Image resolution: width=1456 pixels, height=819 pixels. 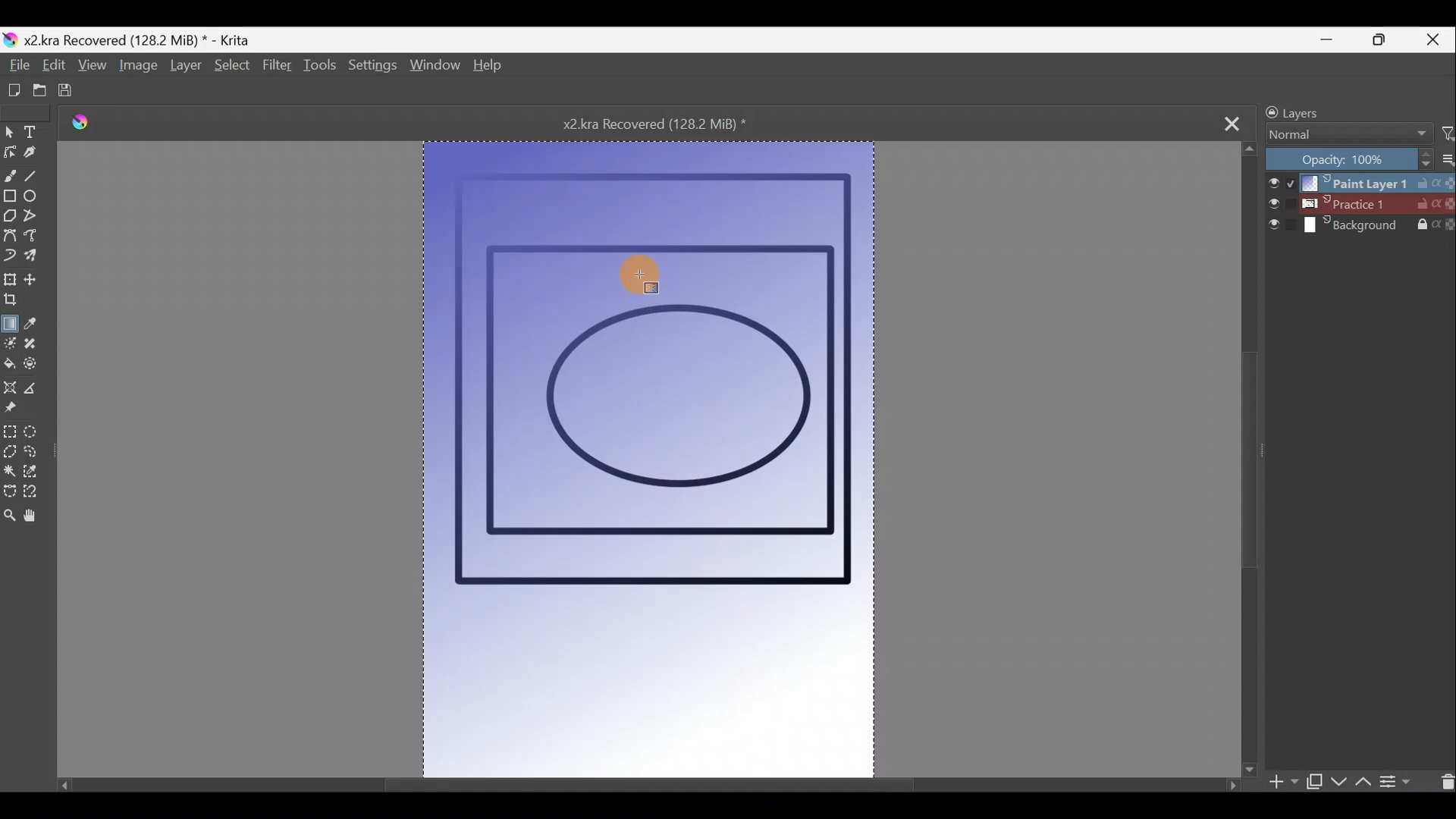 What do you see at coordinates (1285, 783) in the screenshot?
I see `Add layer/mask` at bounding box center [1285, 783].